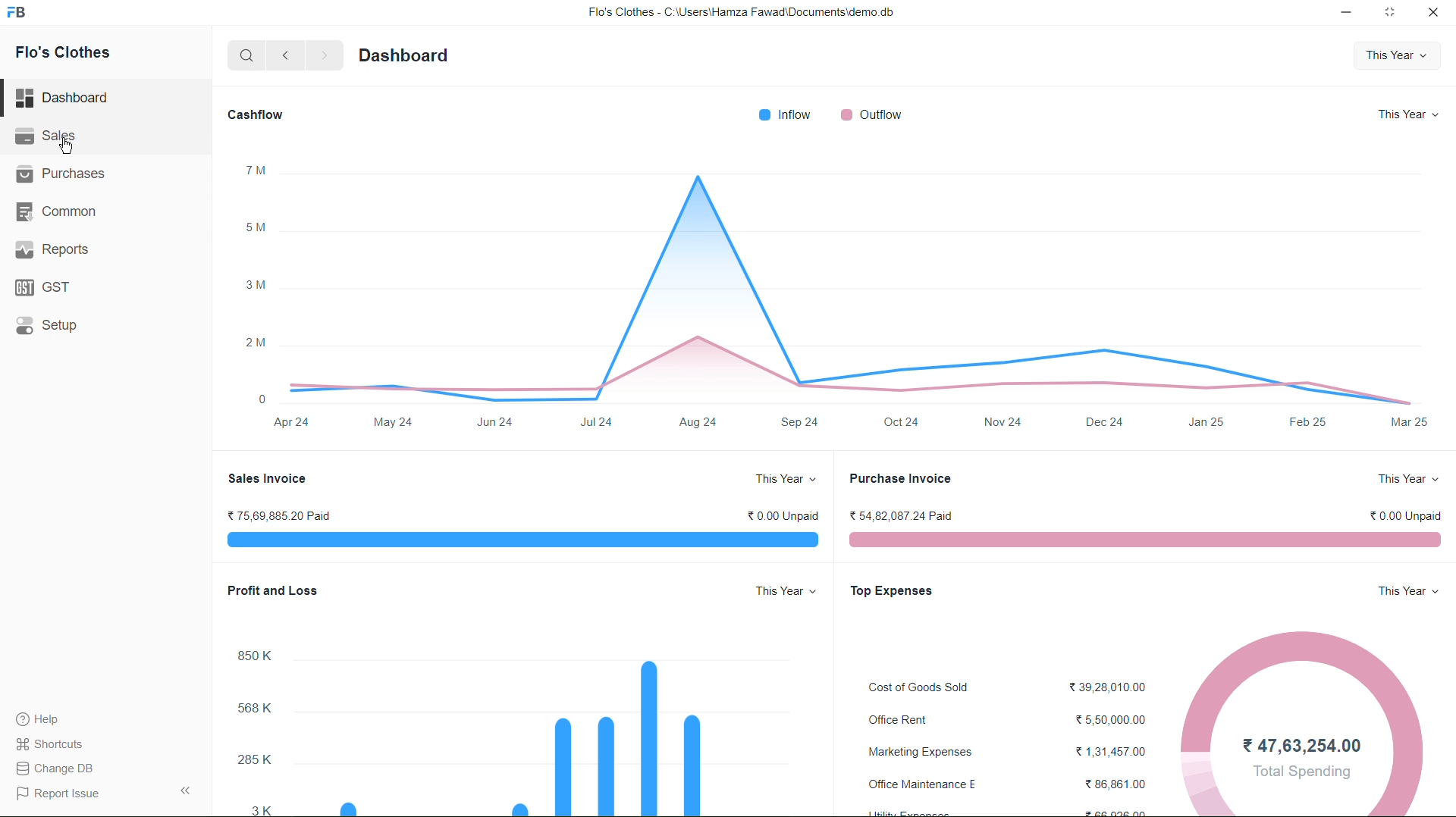  What do you see at coordinates (252, 284) in the screenshot?
I see `3M` at bounding box center [252, 284].